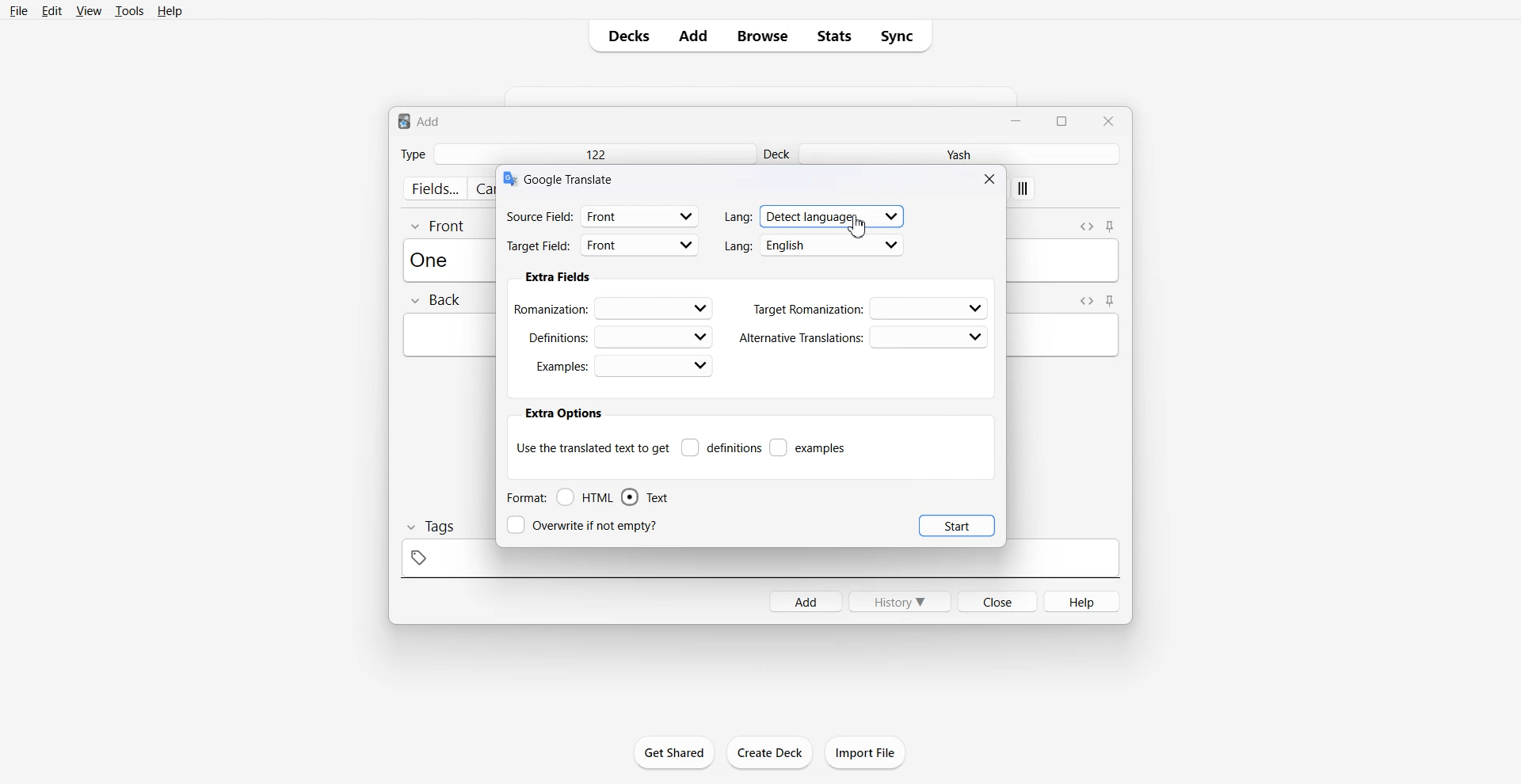 This screenshot has width=1521, height=784. I want to click on Definitions, so click(721, 447).